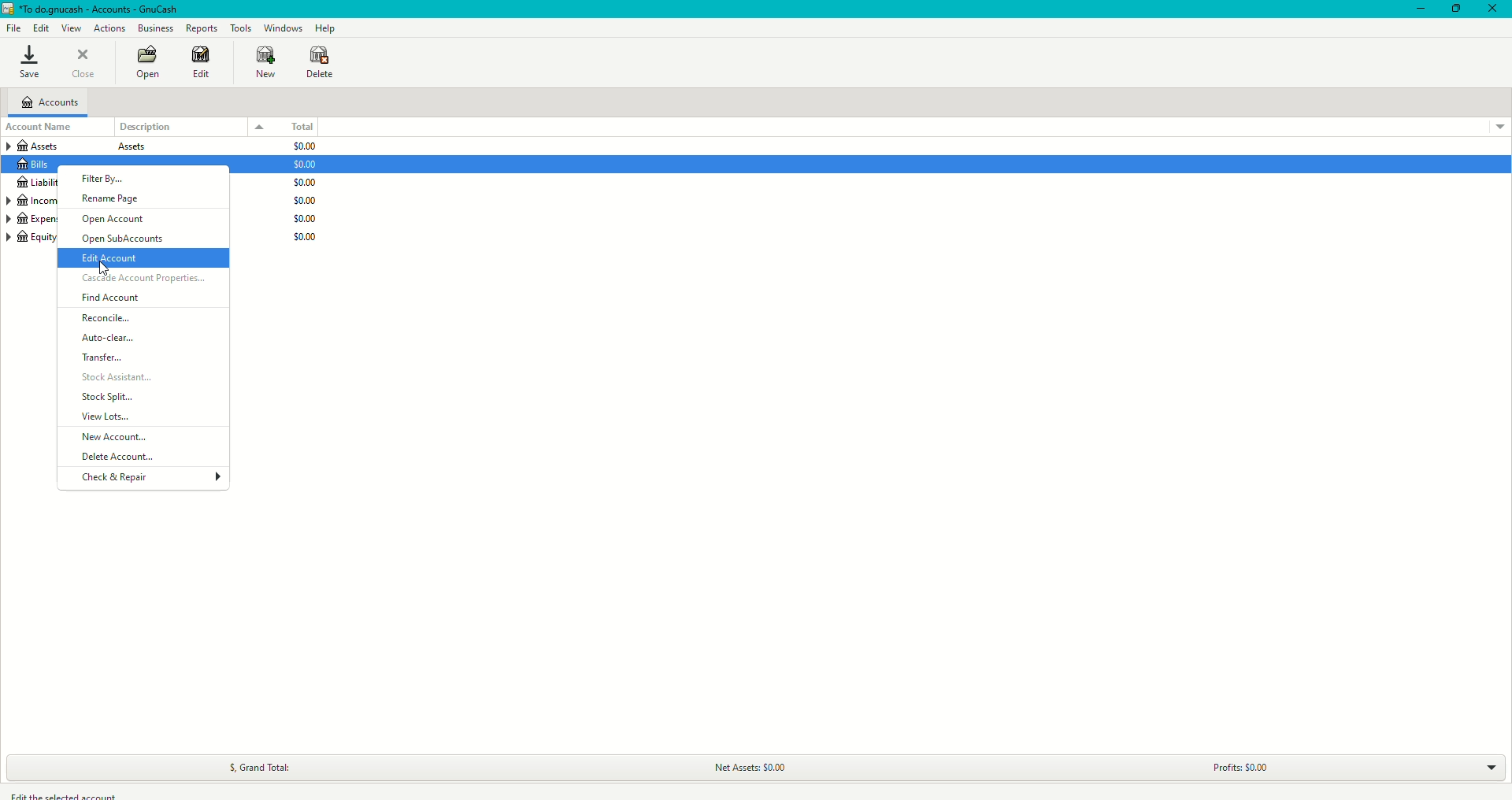 This screenshot has height=800, width=1512. What do you see at coordinates (113, 198) in the screenshot?
I see `Rename Page` at bounding box center [113, 198].